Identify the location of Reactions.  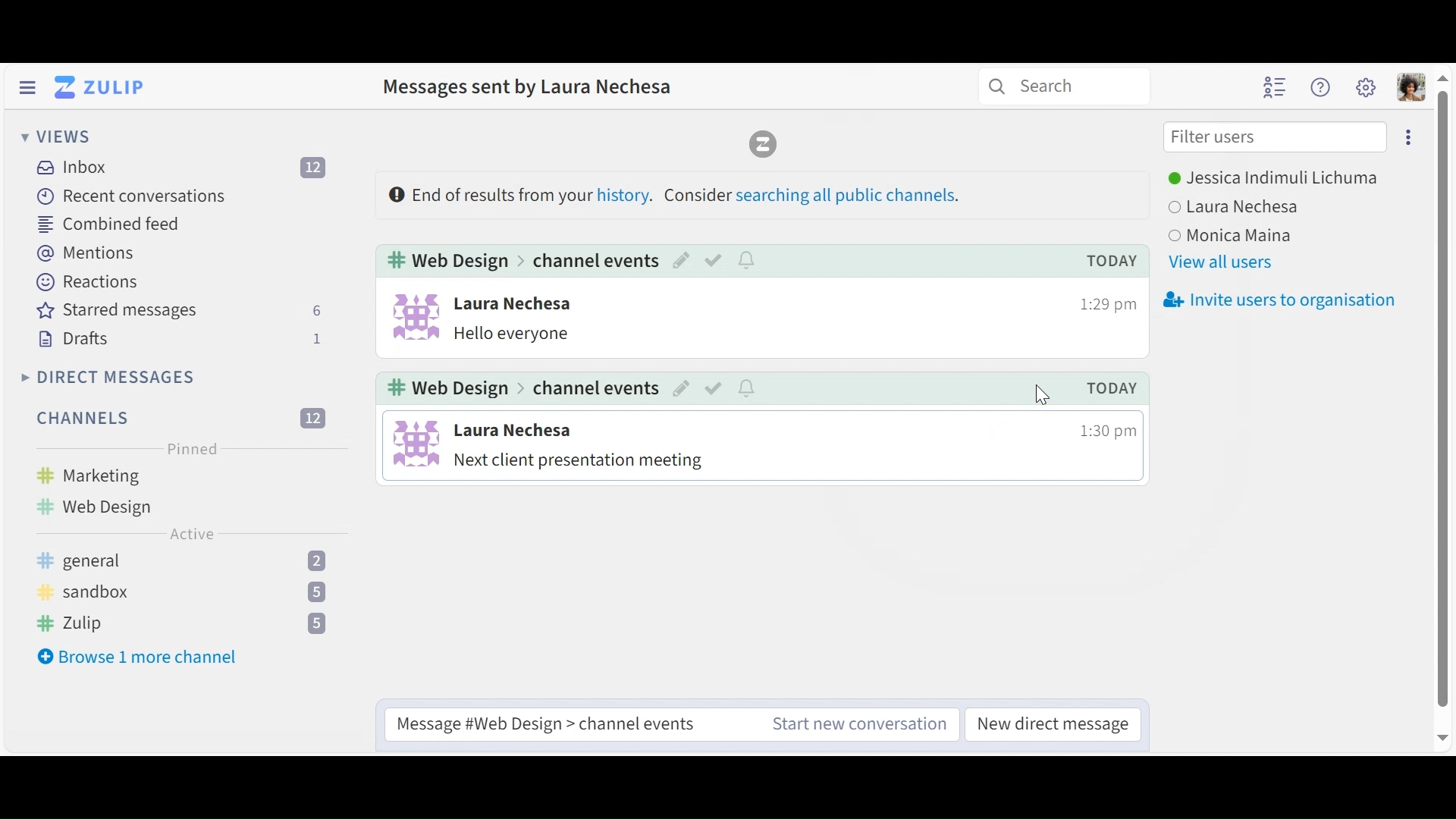
(89, 281).